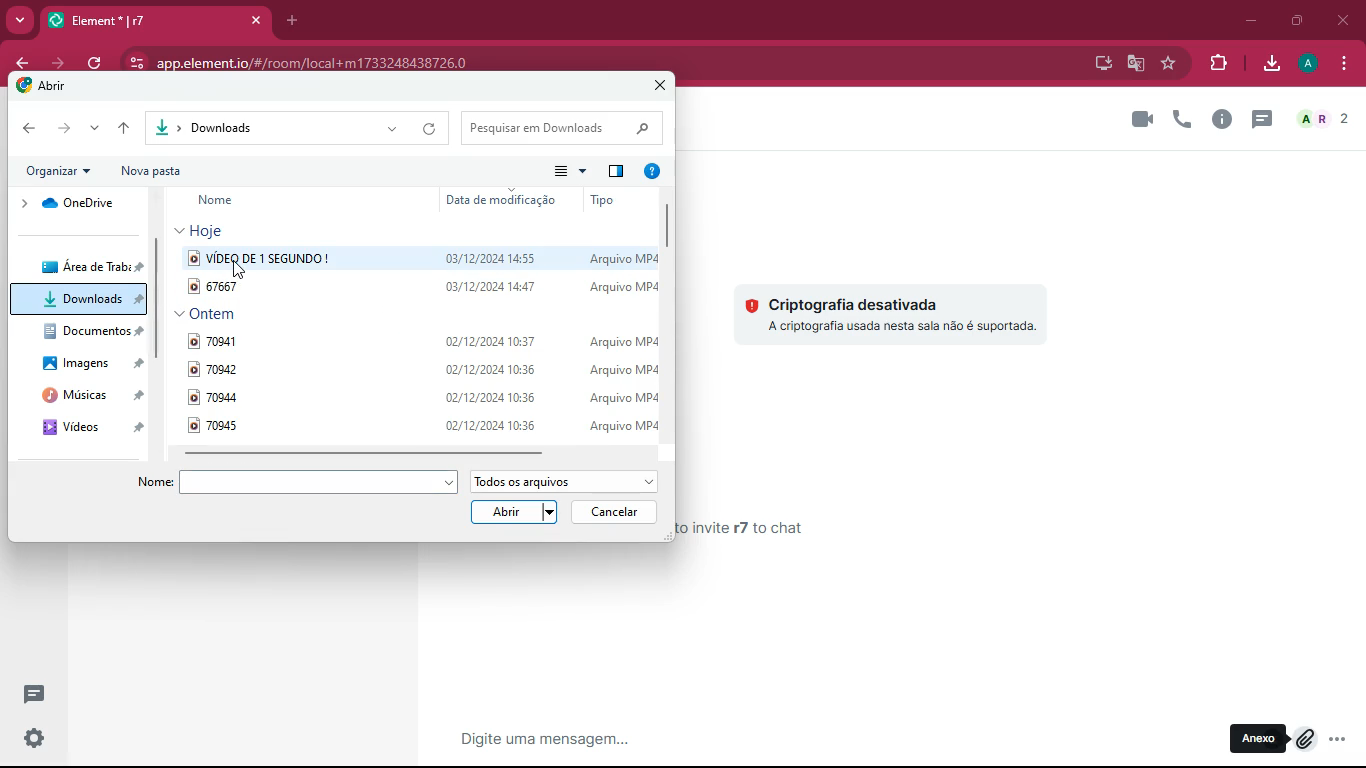  I want to click on video  d 1 segundo! 03/12/2024 14:55 arquivo mp4, so click(418, 258).